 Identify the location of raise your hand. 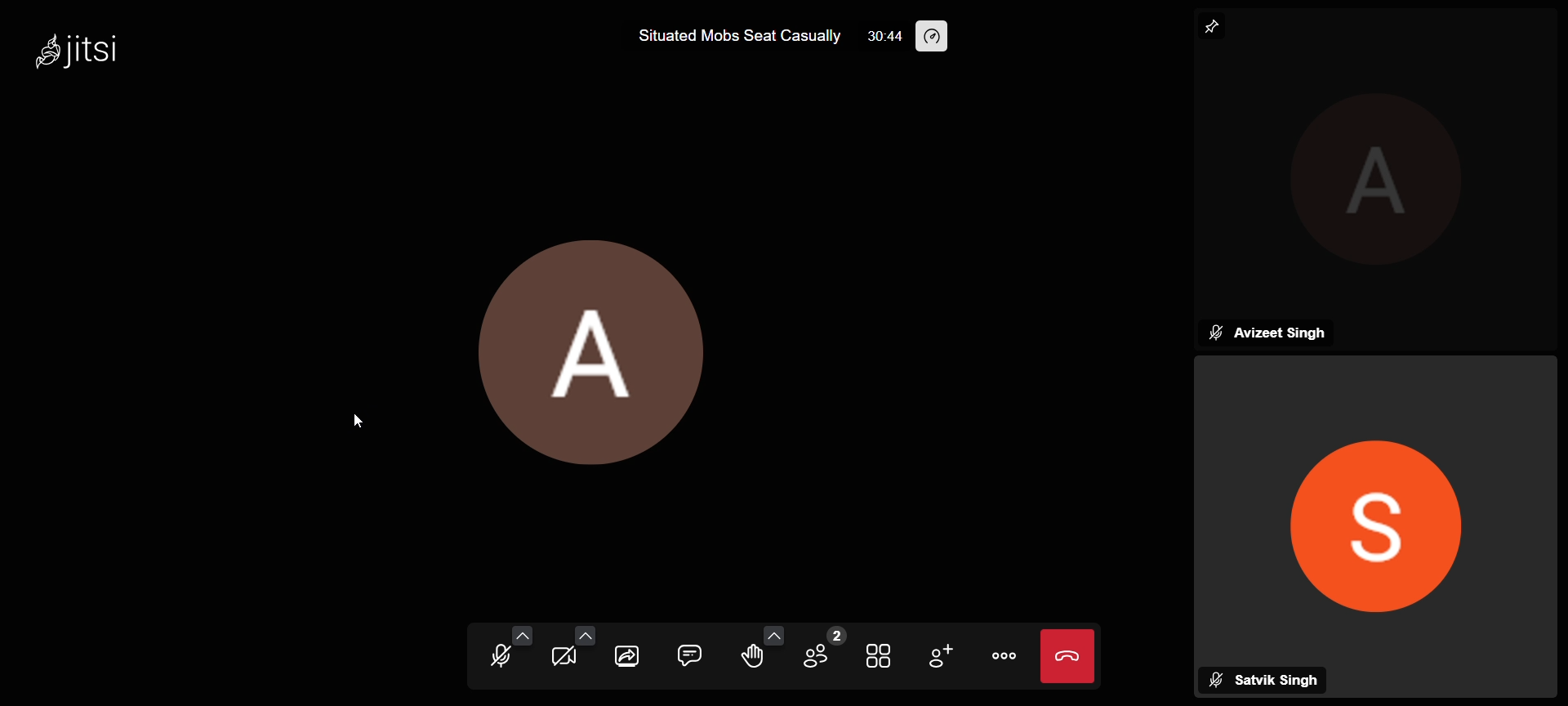
(750, 655).